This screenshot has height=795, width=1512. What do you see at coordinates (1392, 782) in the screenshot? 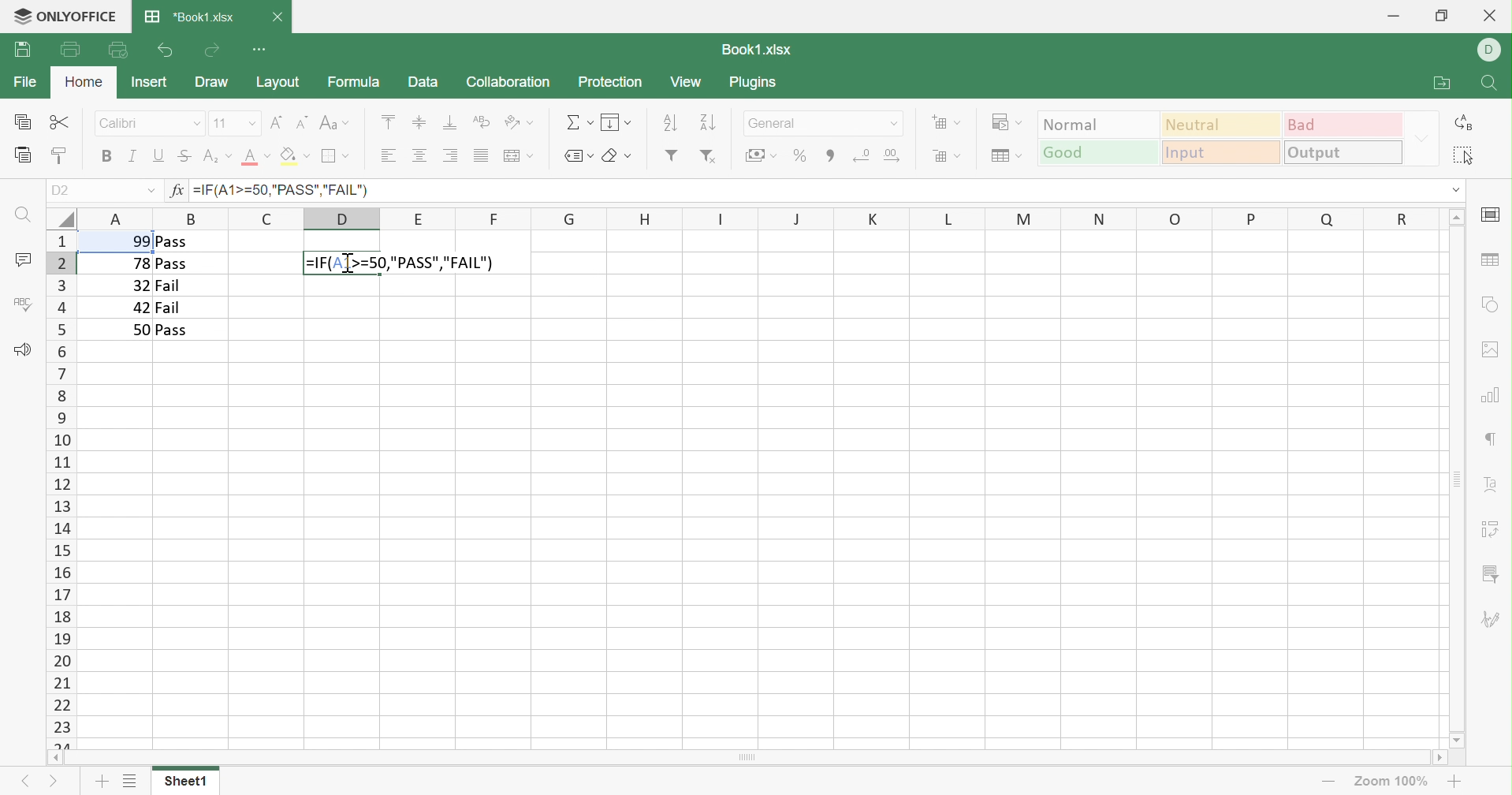
I see `Zoom 100%` at bounding box center [1392, 782].